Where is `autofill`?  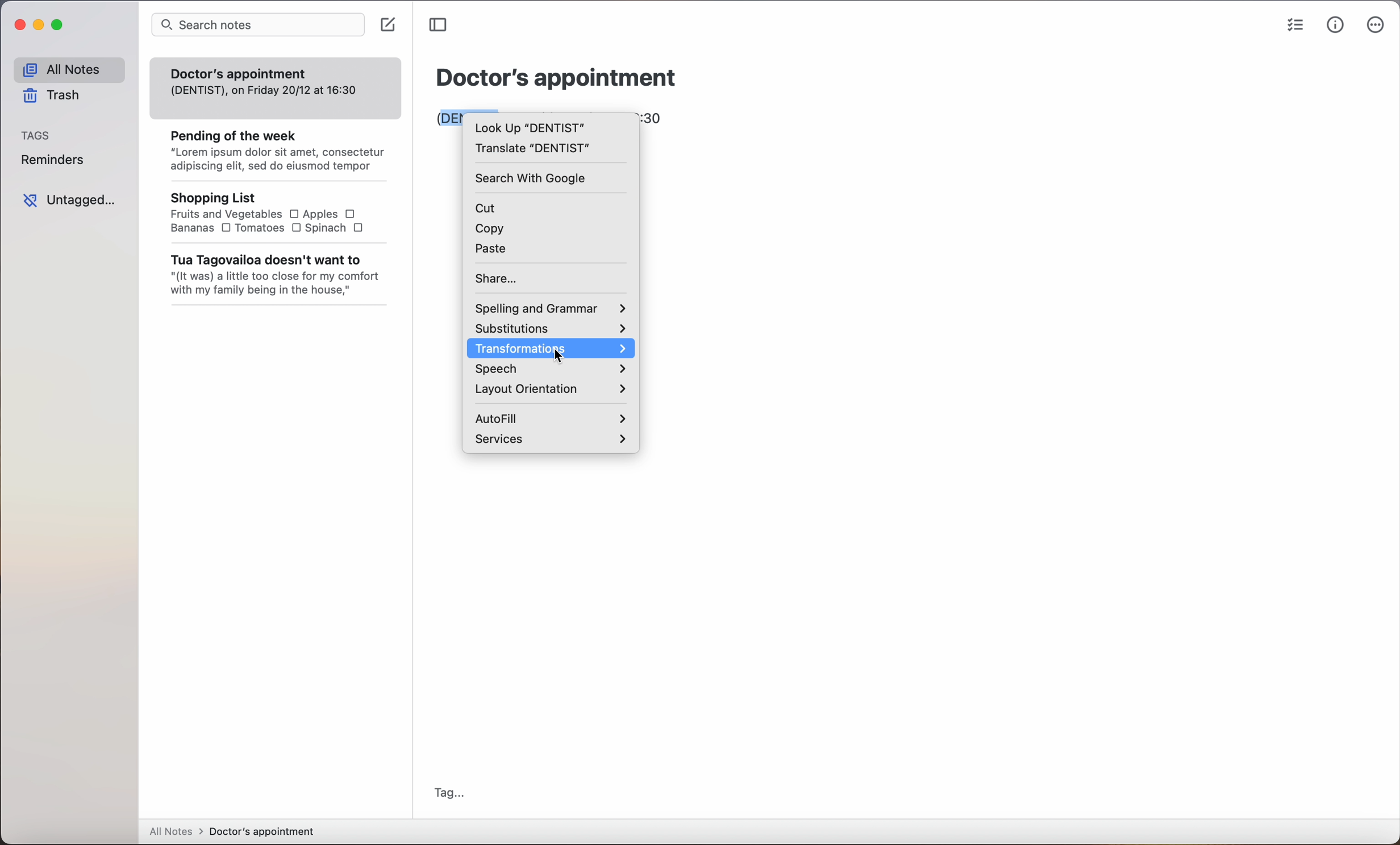
autofill is located at coordinates (548, 416).